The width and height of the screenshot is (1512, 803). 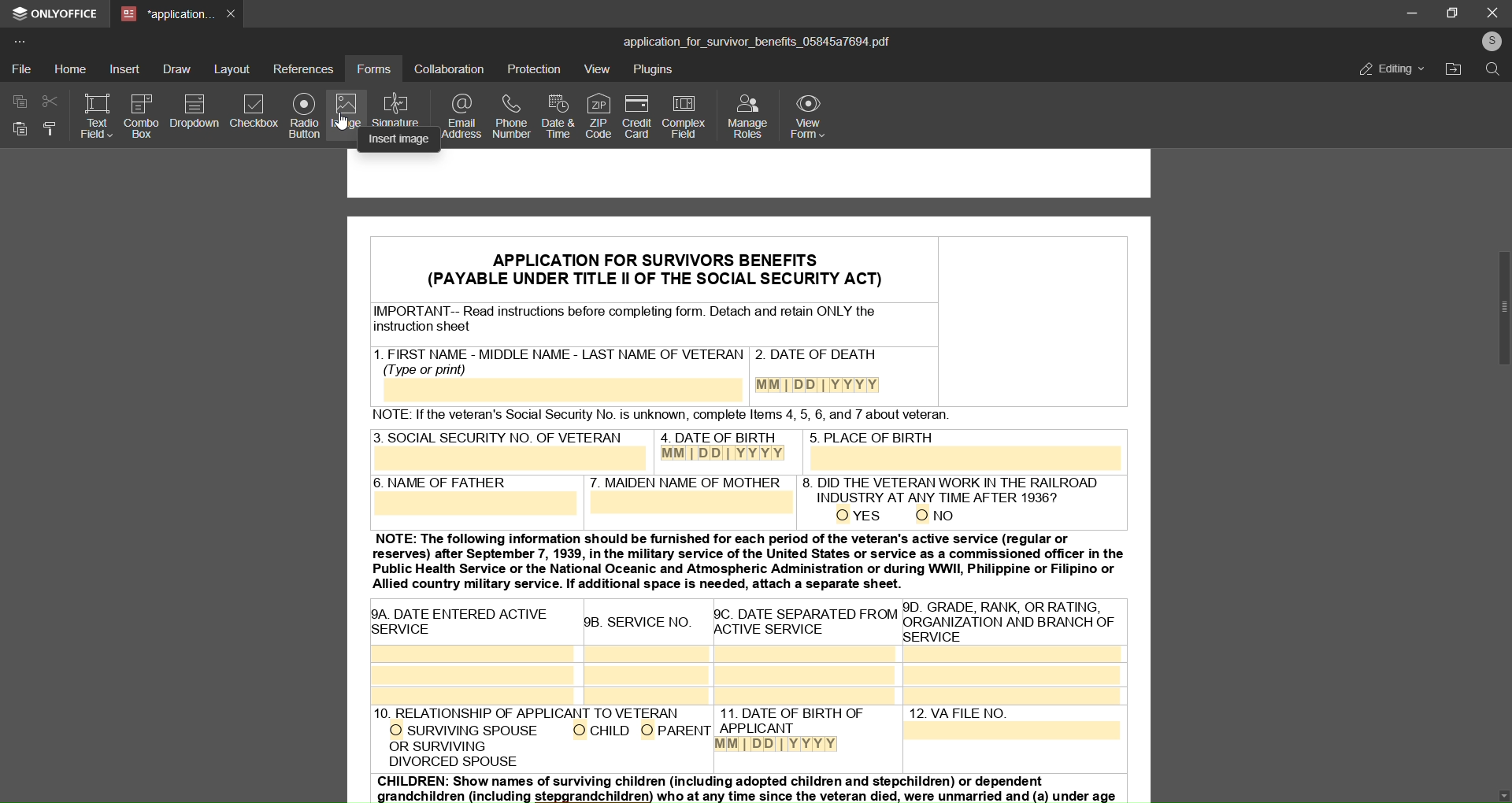 I want to click on onlyoffice, so click(x=57, y=16).